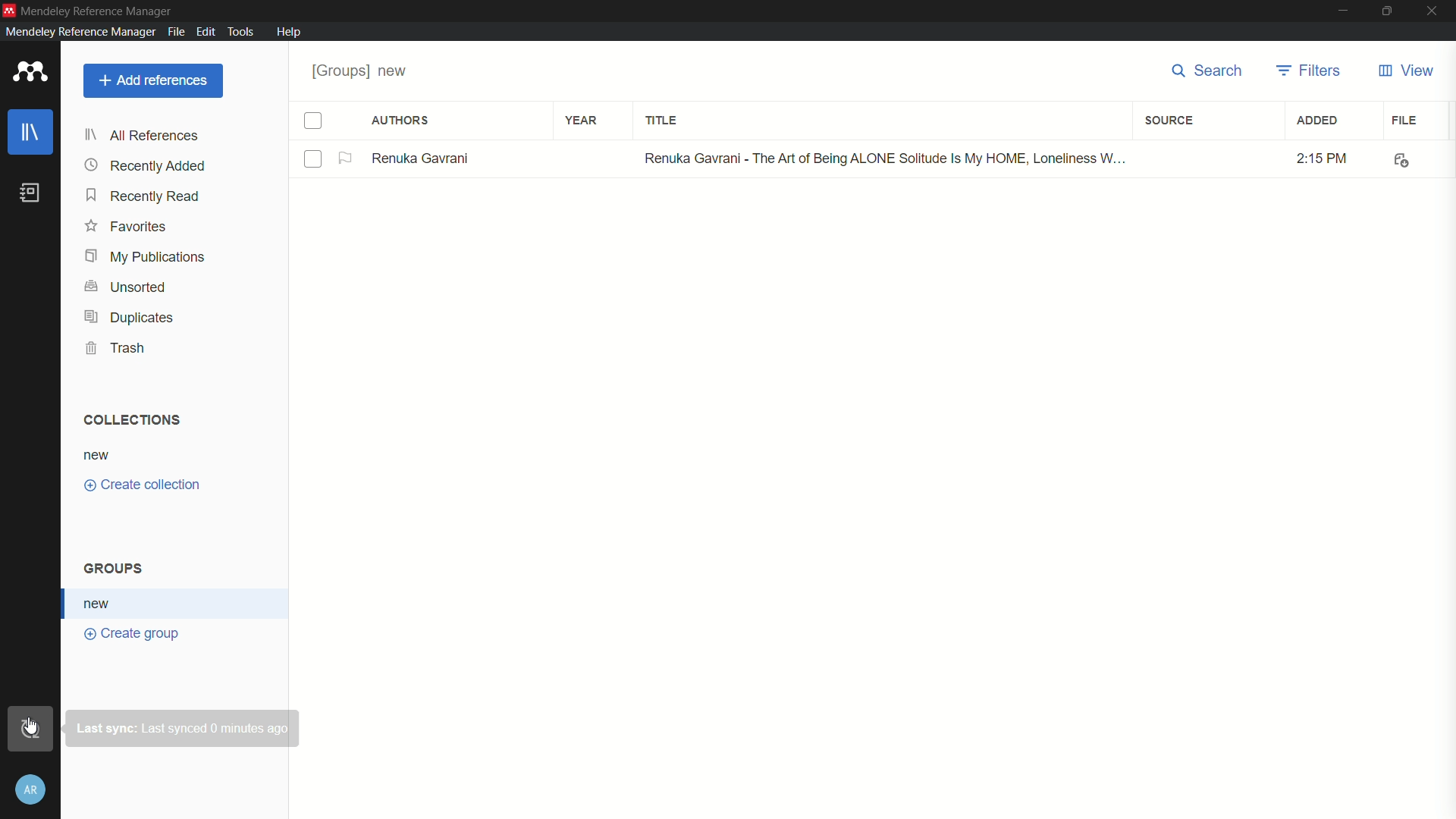 Image resolution: width=1456 pixels, height=819 pixels. What do you see at coordinates (31, 791) in the screenshot?
I see `account` at bounding box center [31, 791].